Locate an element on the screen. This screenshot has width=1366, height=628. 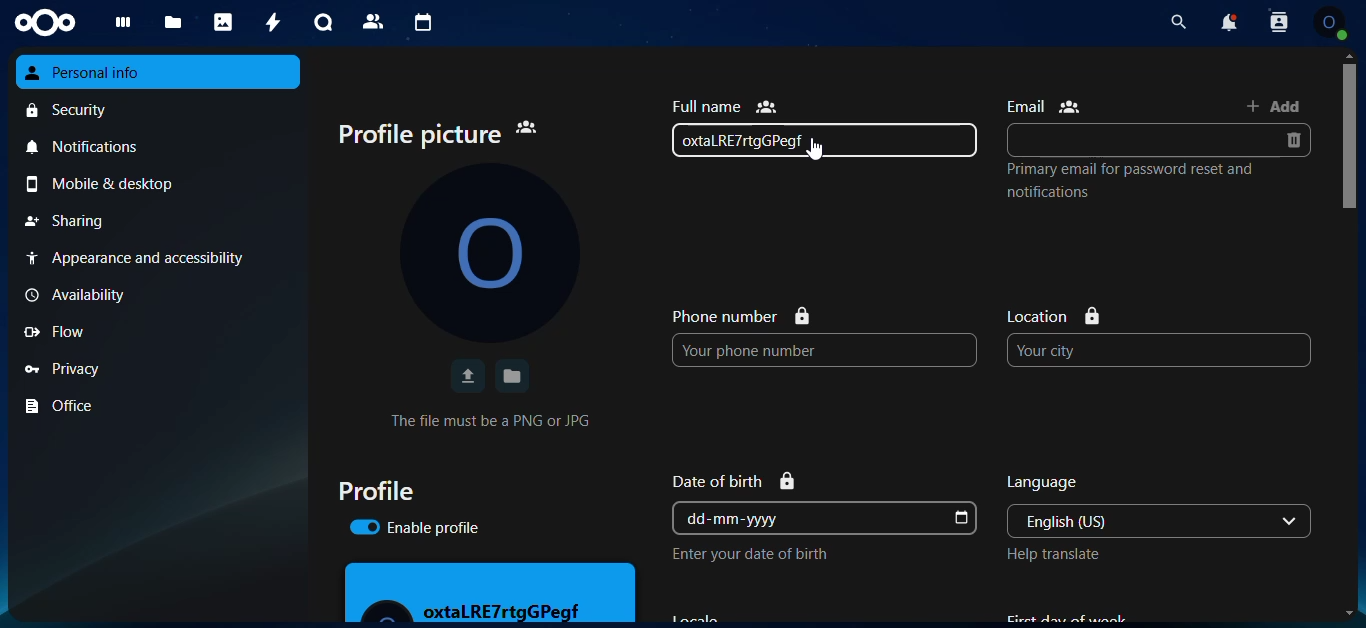
scroll up is located at coordinates (1349, 55).